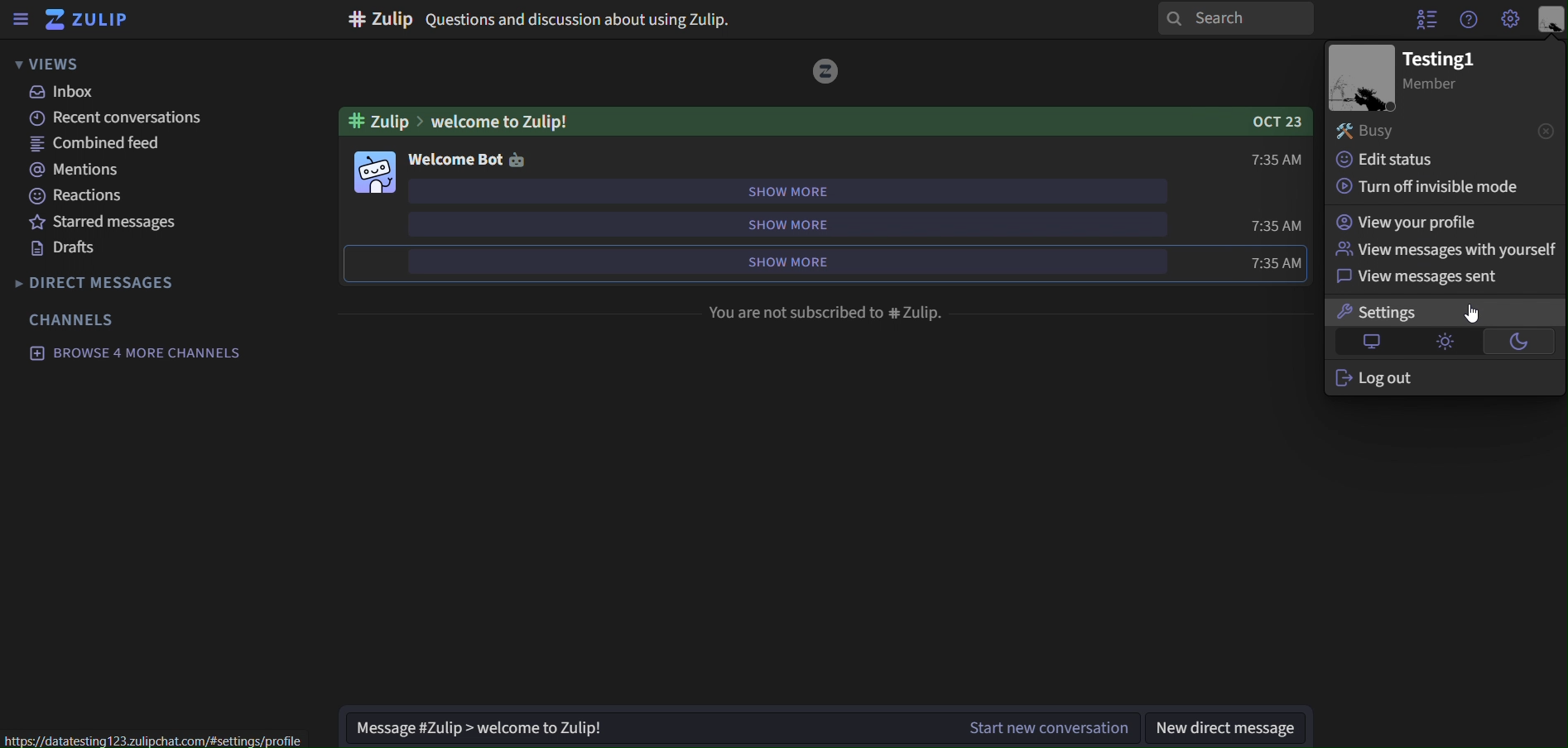  What do you see at coordinates (827, 311) in the screenshot?
I see `you are not subscribed to #zulip` at bounding box center [827, 311].